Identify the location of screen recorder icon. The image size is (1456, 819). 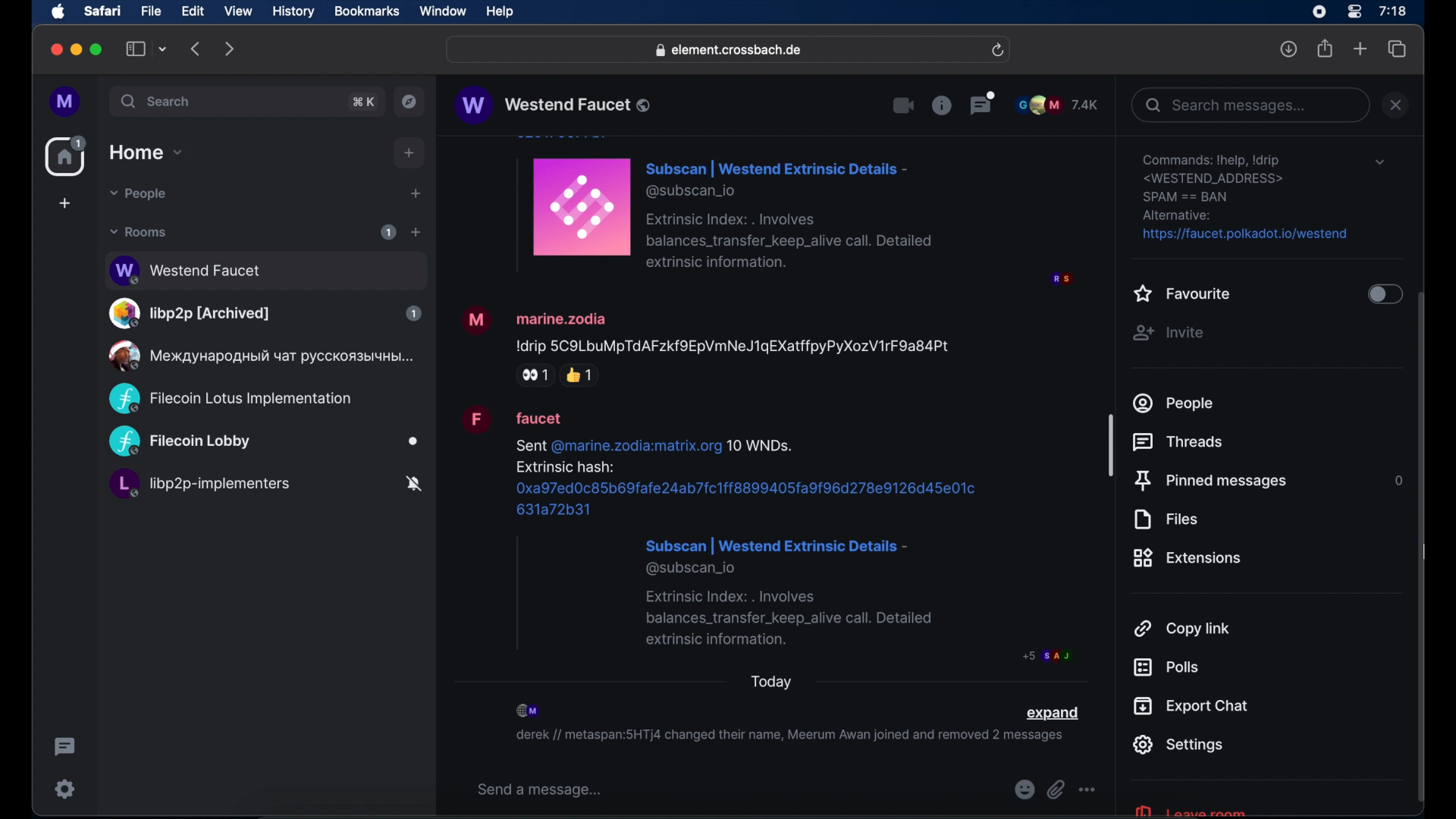
(1319, 12).